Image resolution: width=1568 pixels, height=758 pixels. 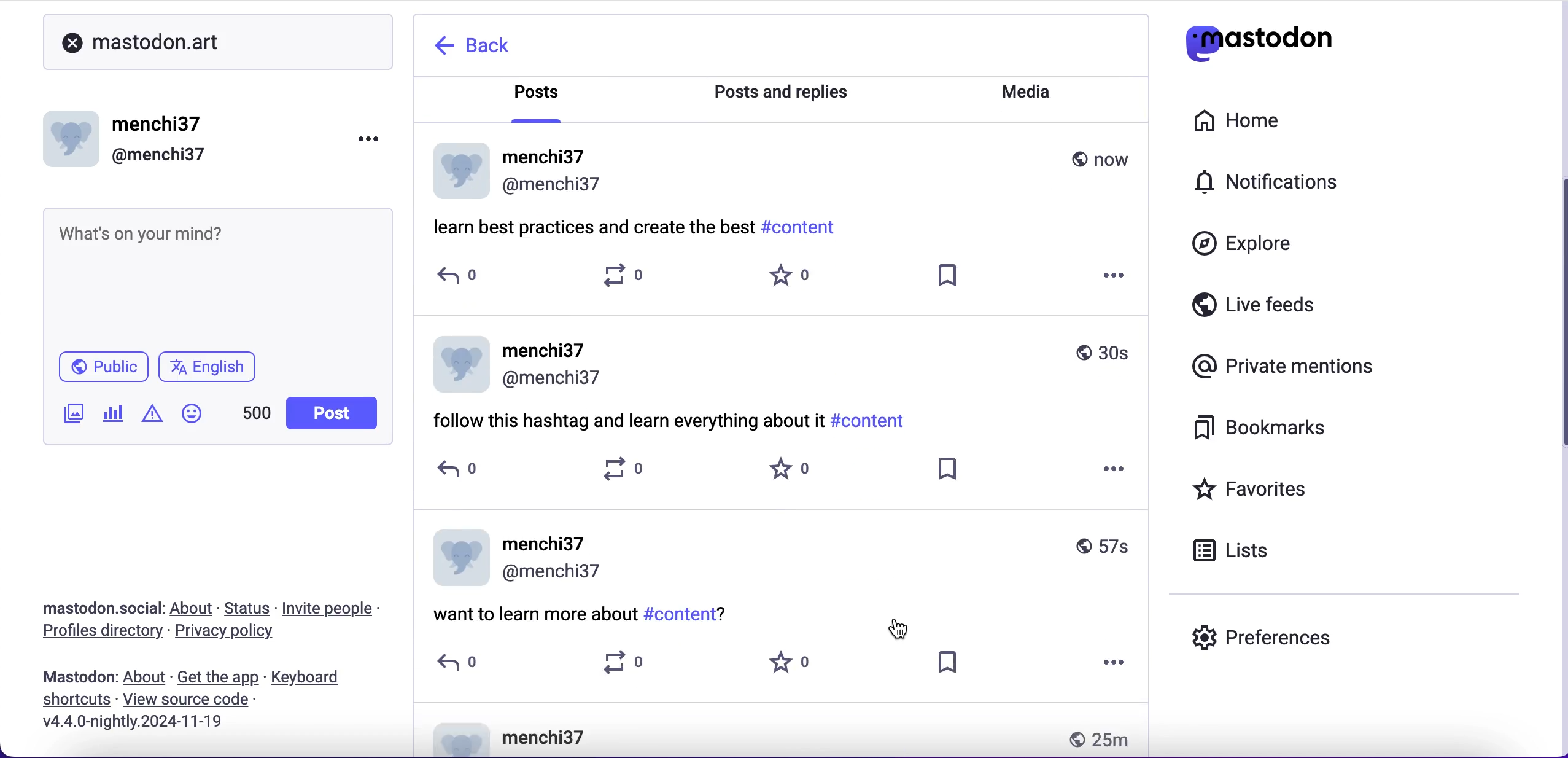 I want to click on display picture, so click(x=74, y=135).